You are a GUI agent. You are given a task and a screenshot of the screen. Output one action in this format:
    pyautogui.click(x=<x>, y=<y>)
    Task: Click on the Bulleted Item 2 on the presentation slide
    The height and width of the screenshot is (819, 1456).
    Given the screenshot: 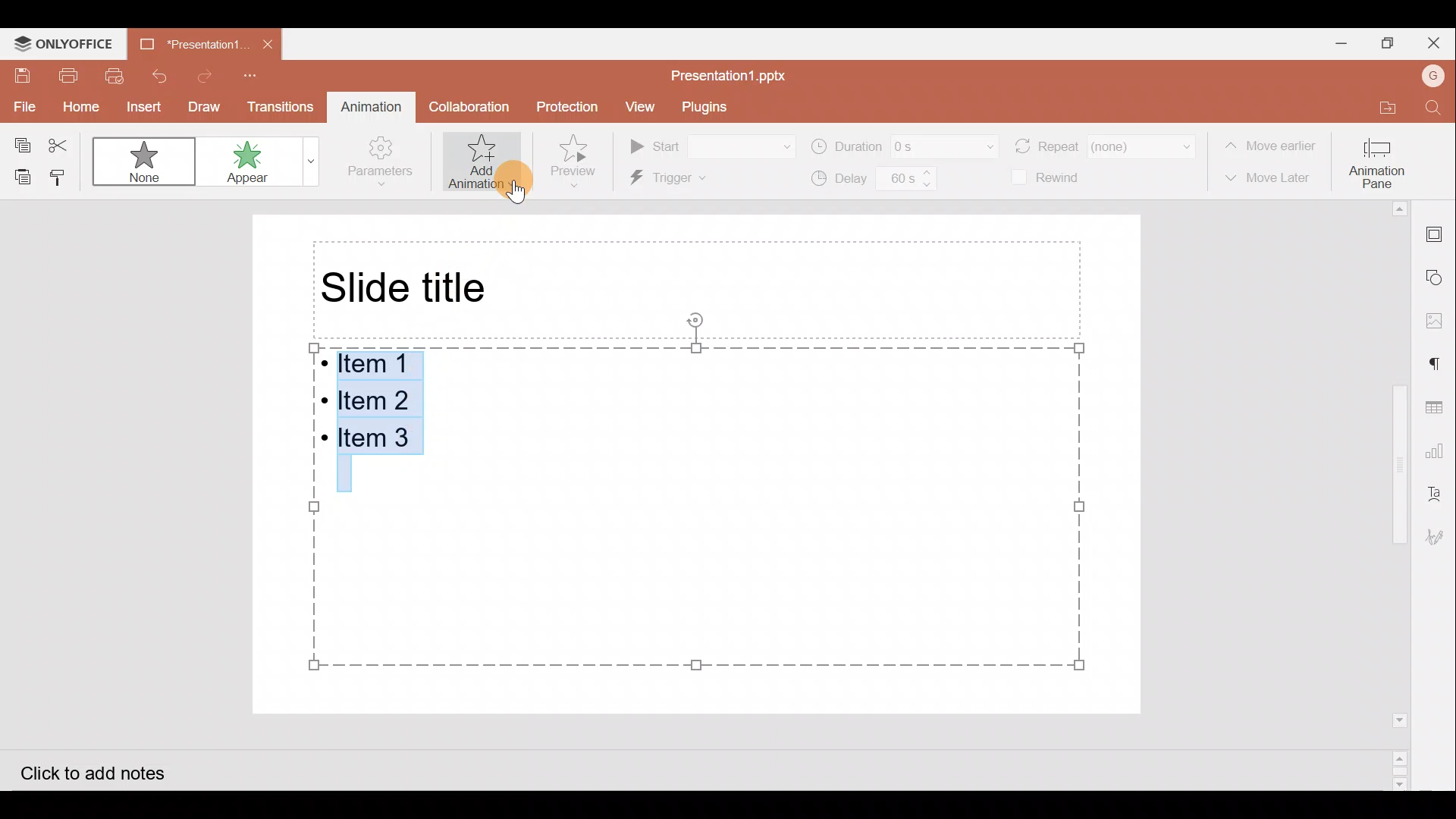 What is the action you would take?
    pyautogui.click(x=375, y=398)
    